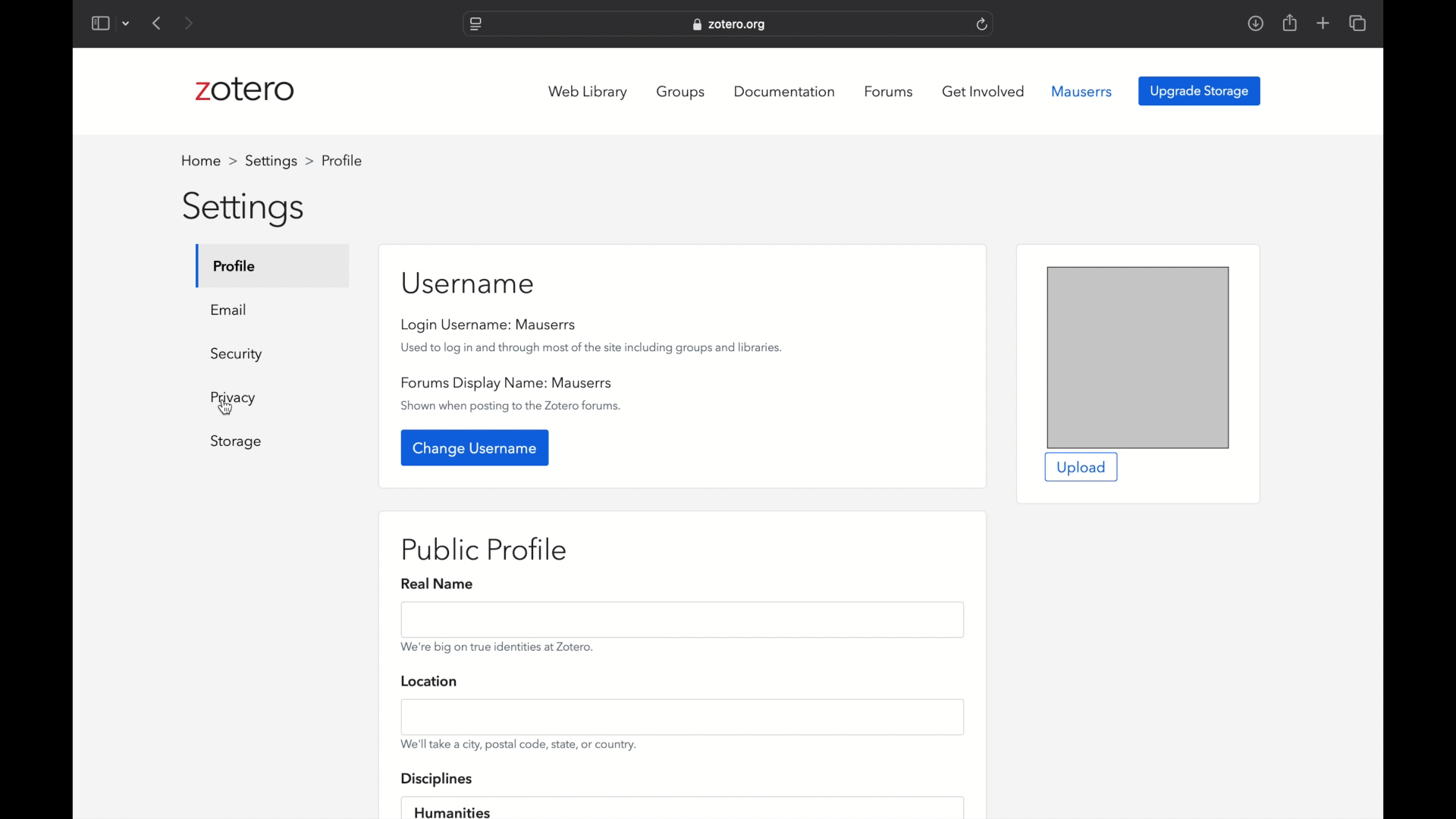 The width and height of the screenshot is (1456, 819). Describe the element at coordinates (476, 448) in the screenshot. I see `change username` at that location.